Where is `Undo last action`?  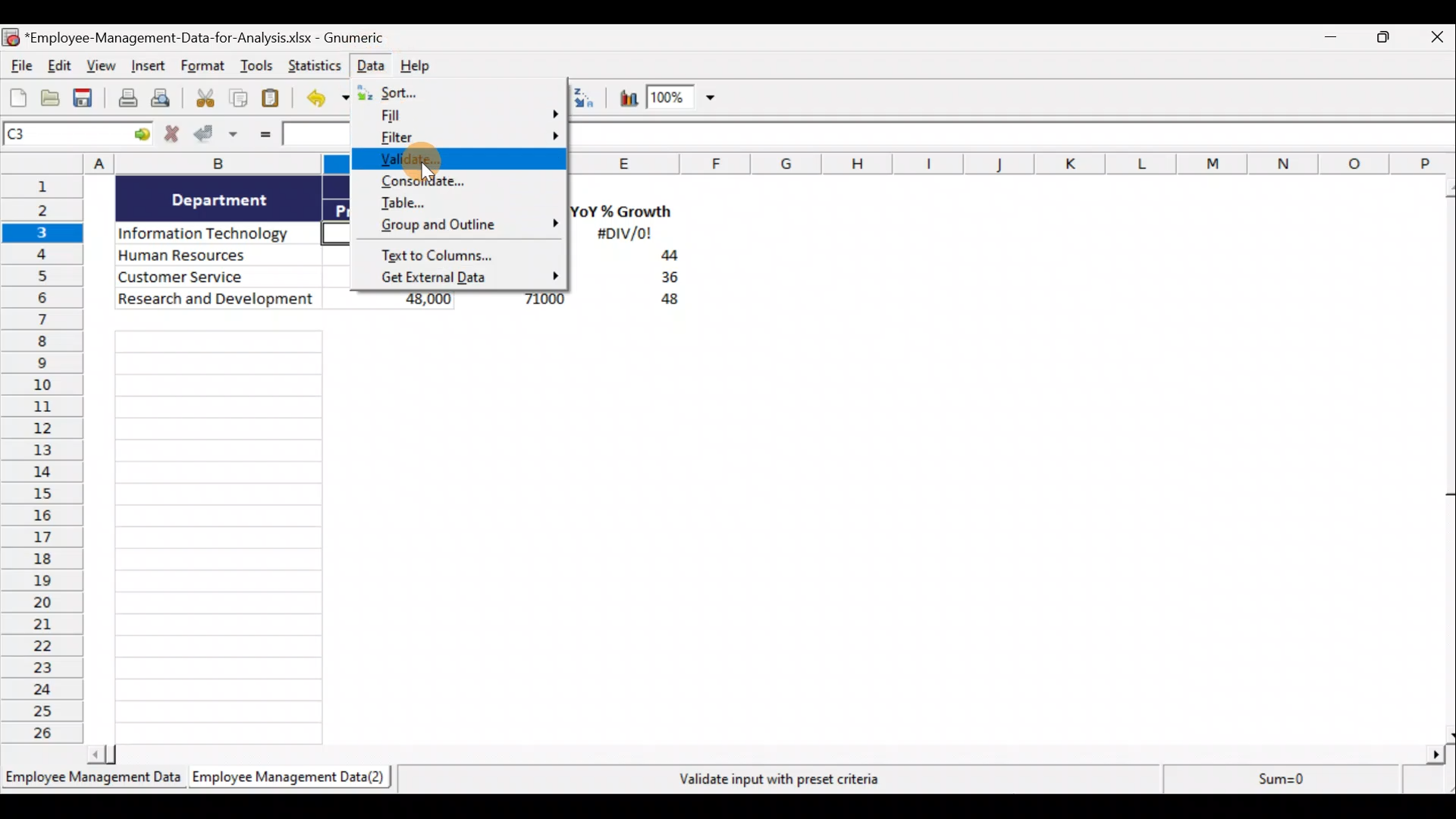
Undo last action is located at coordinates (331, 99).